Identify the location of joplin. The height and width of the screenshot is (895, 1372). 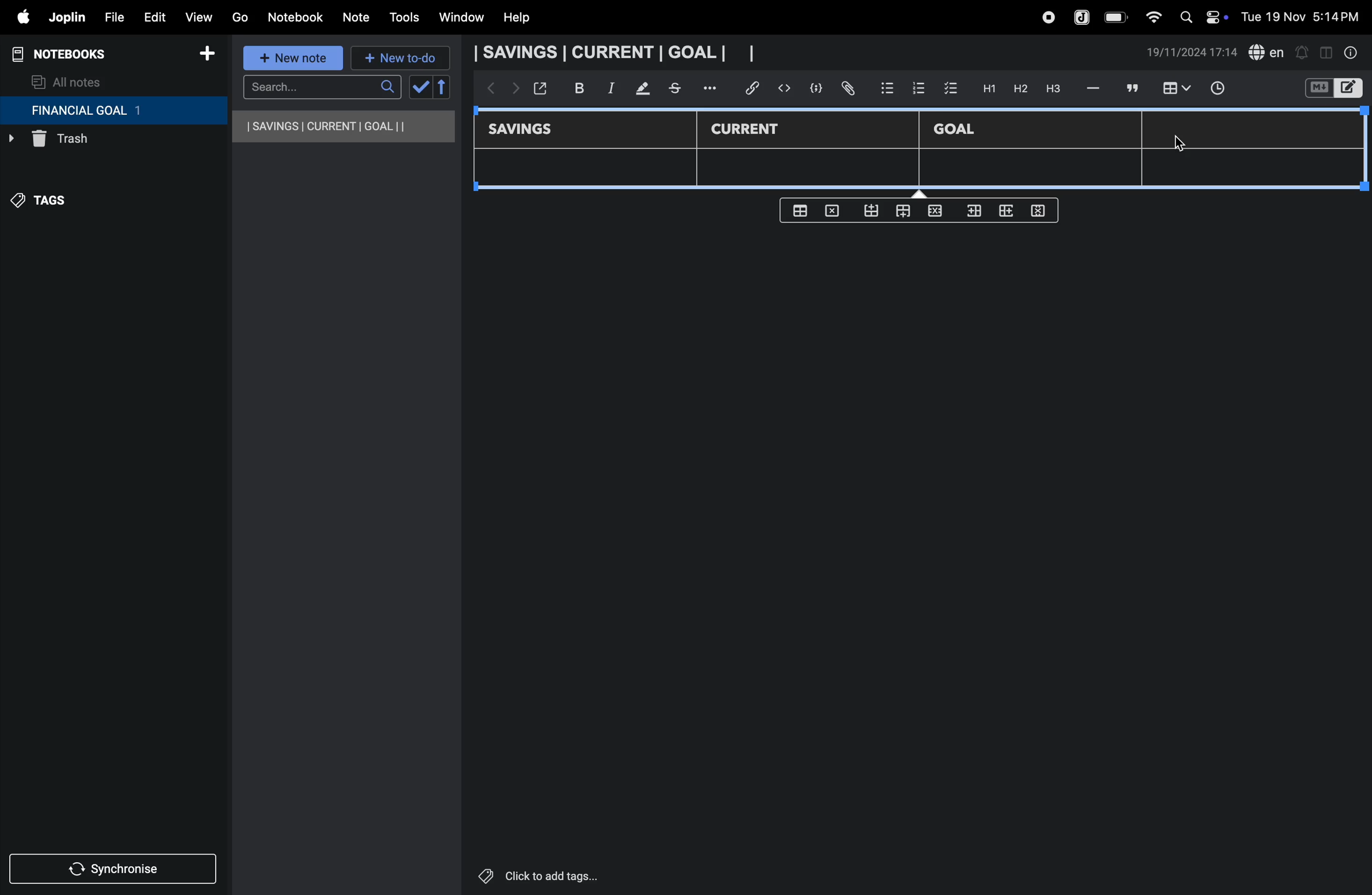
(1083, 16).